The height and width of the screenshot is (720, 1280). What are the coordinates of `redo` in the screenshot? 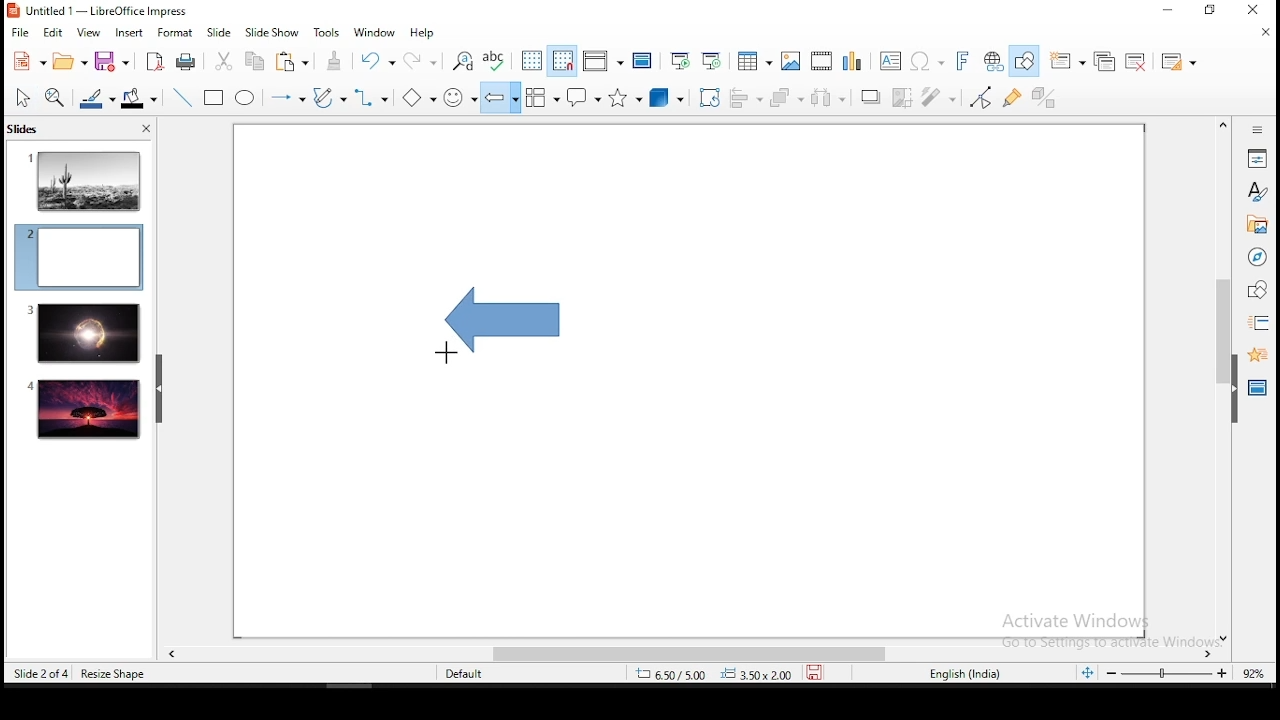 It's located at (424, 60).